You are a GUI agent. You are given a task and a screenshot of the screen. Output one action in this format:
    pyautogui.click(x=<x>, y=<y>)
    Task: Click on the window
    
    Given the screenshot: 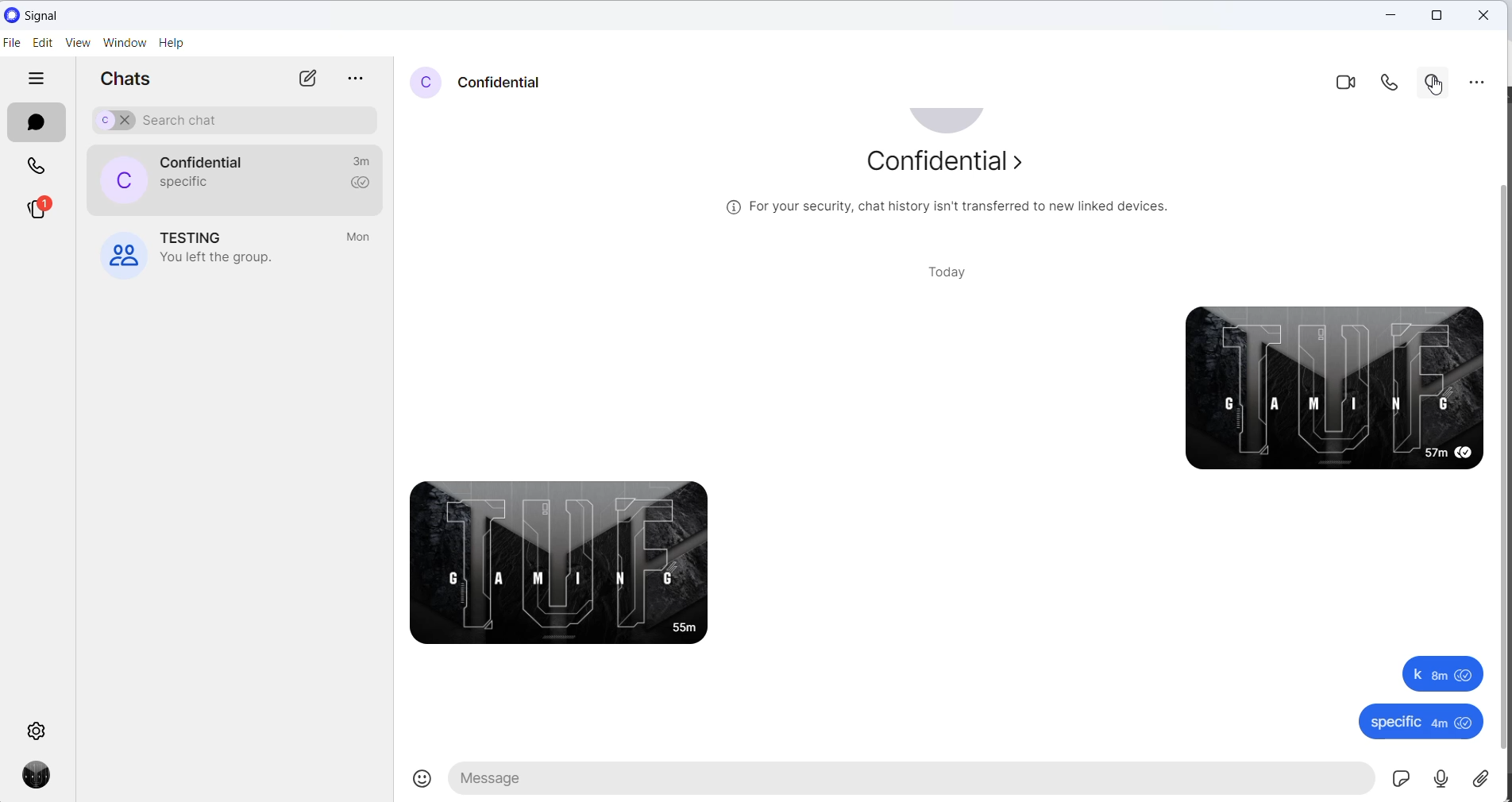 What is the action you would take?
    pyautogui.click(x=128, y=44)
    